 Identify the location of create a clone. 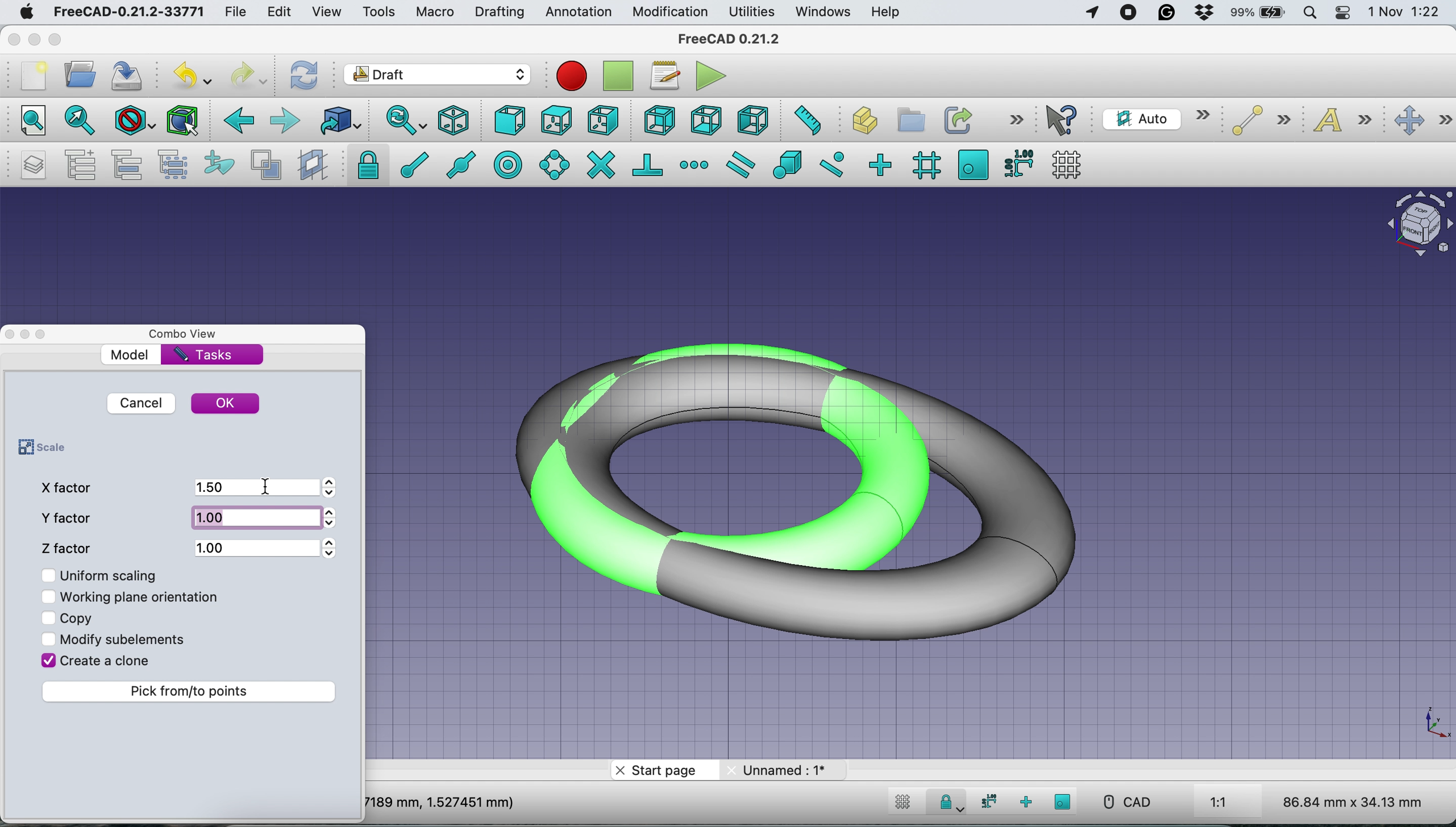
(107, 663).